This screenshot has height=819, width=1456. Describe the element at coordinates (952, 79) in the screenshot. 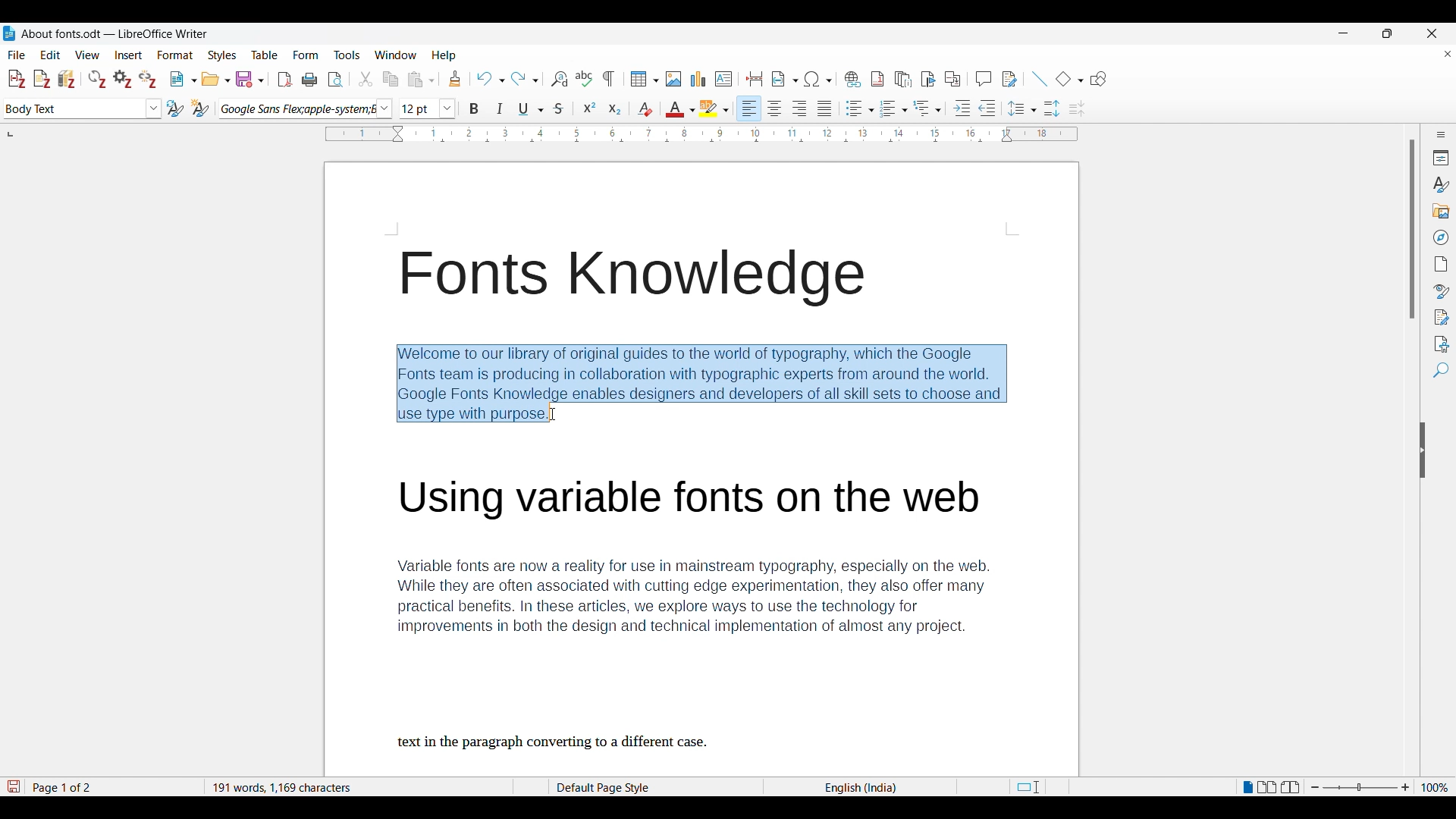

I see `Insert cross-reference` at that location.